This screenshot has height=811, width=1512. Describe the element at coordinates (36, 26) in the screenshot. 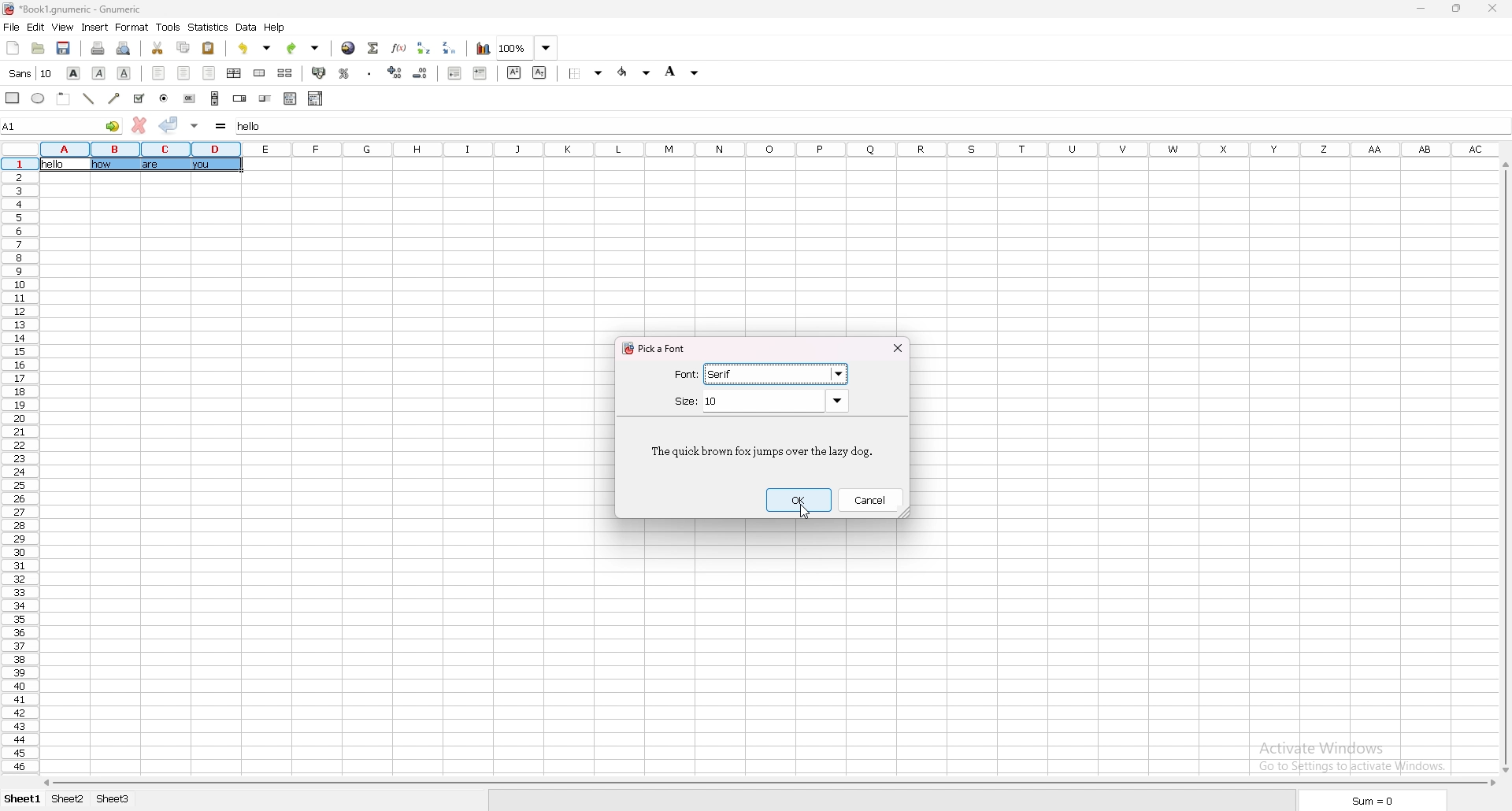

I see `edit` at that location.